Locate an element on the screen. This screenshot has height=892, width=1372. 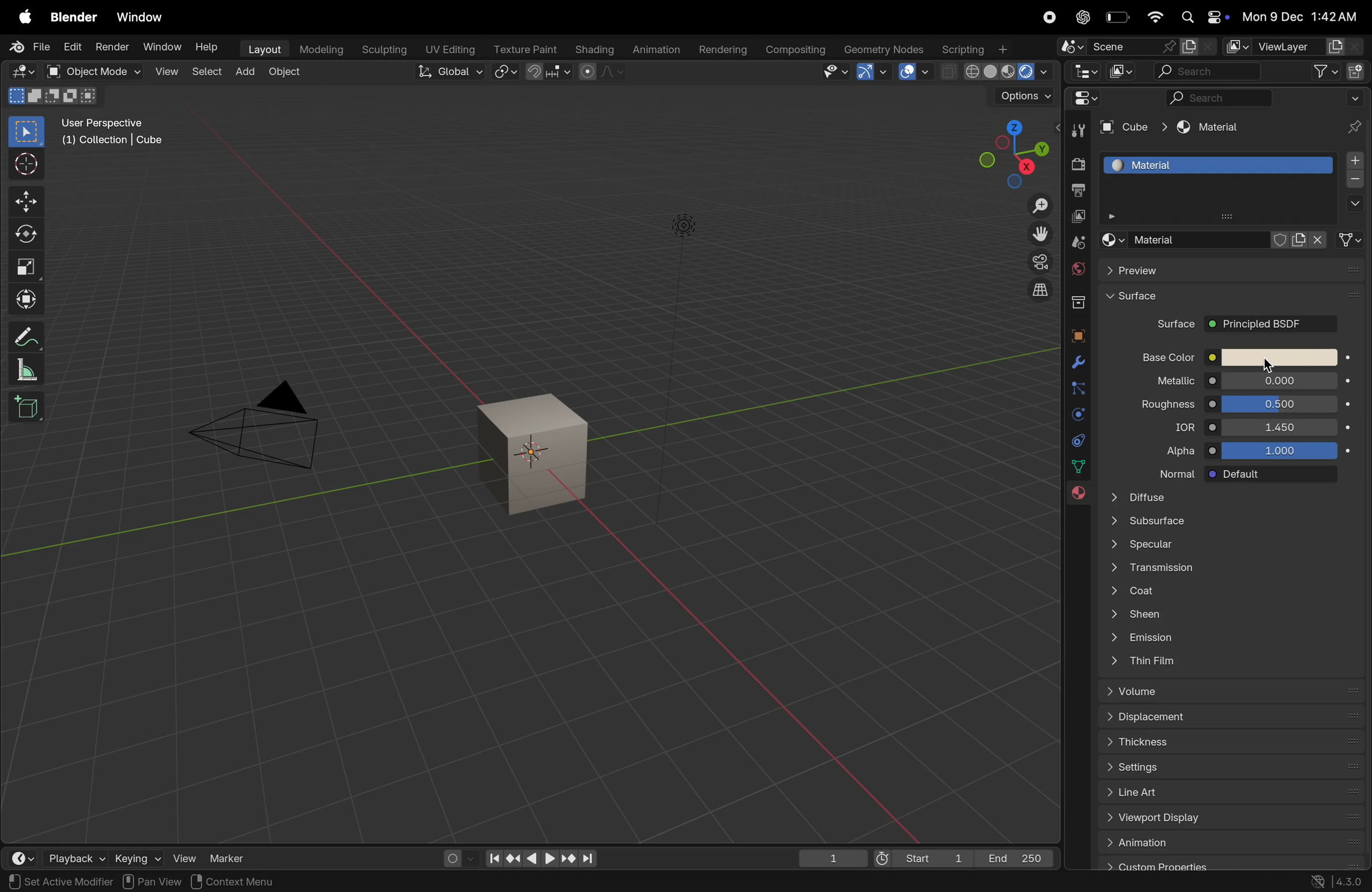
thickness is located at coordinates (1227, 740).